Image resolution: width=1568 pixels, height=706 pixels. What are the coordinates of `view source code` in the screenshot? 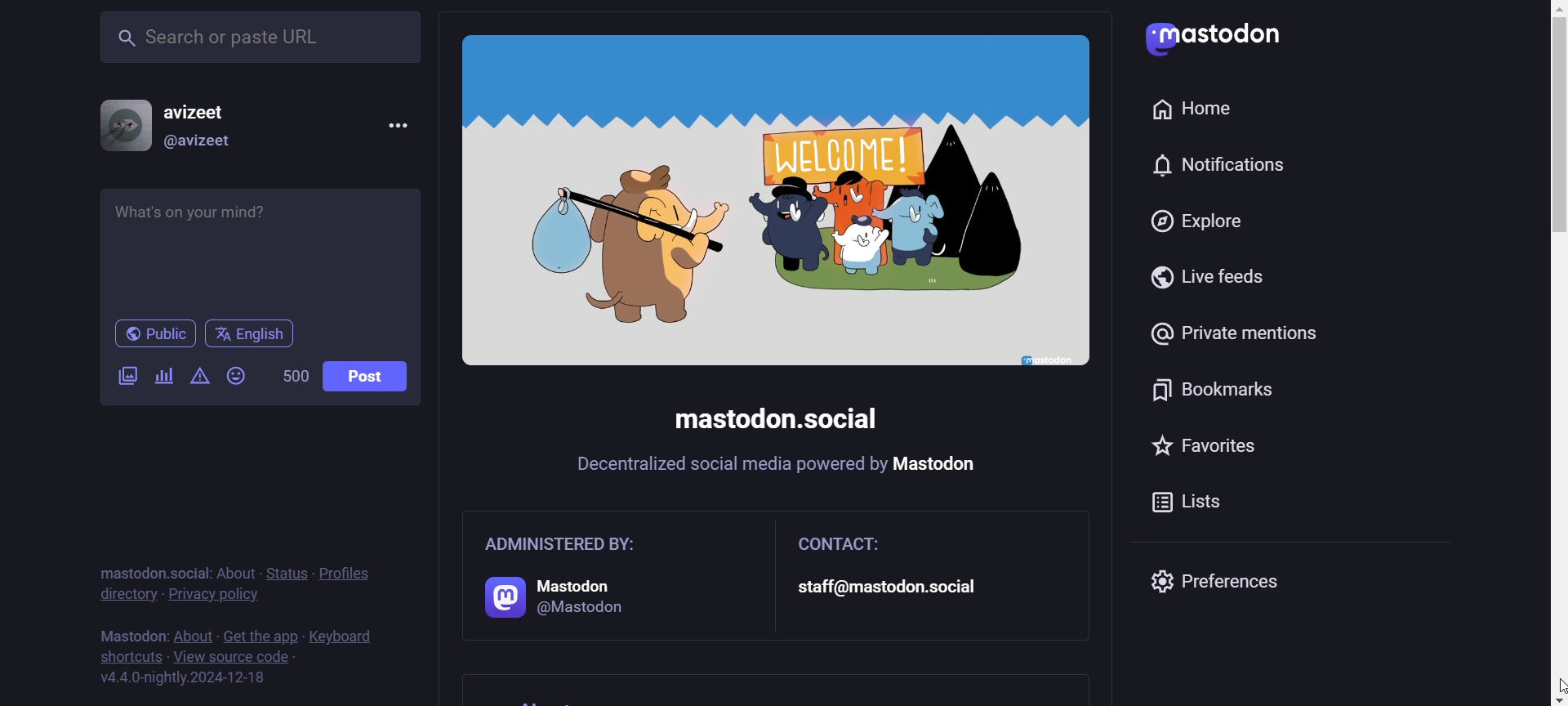 It's located at (234, 659).